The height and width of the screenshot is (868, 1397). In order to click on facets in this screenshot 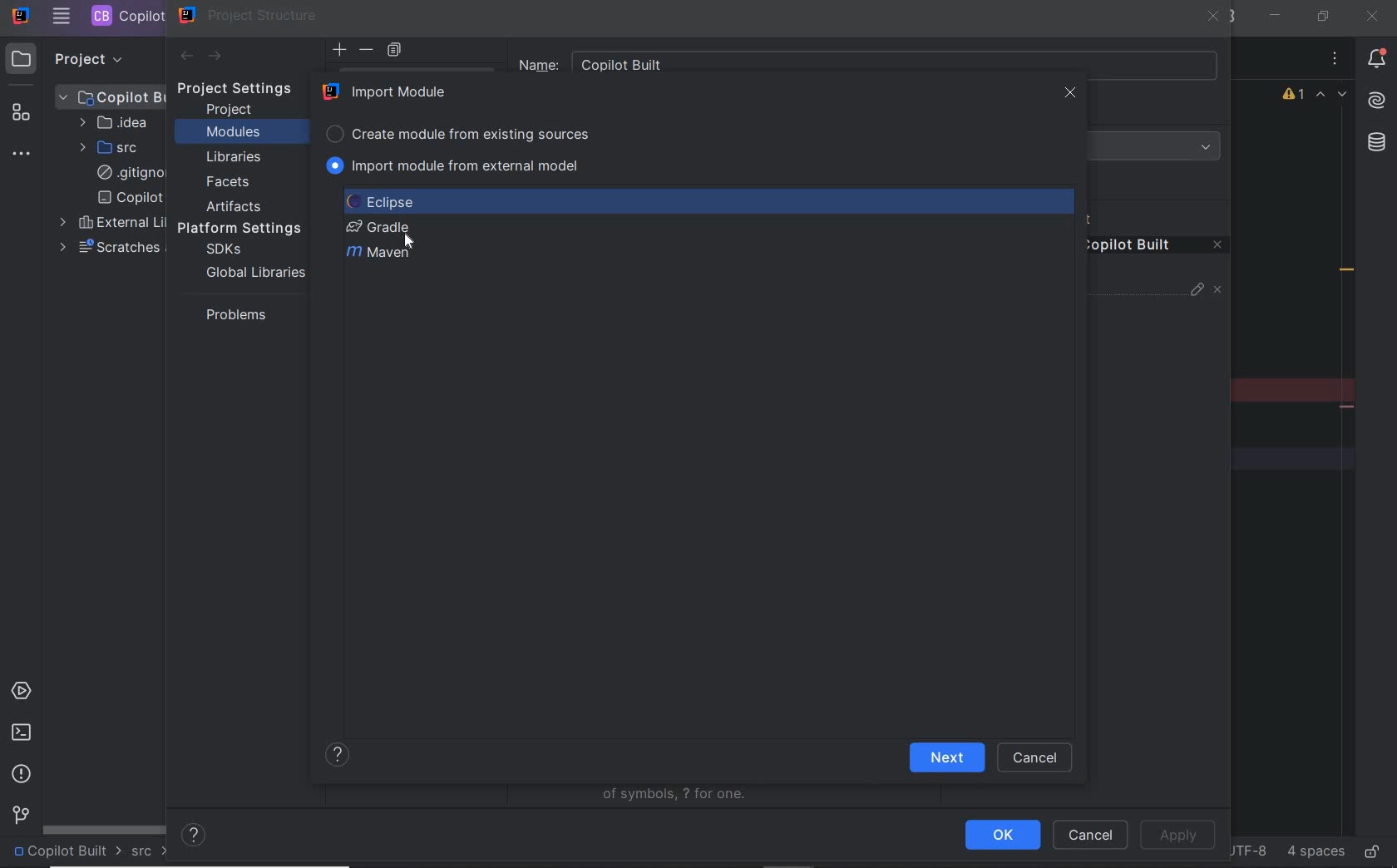, I will do `click(229, 183)`.